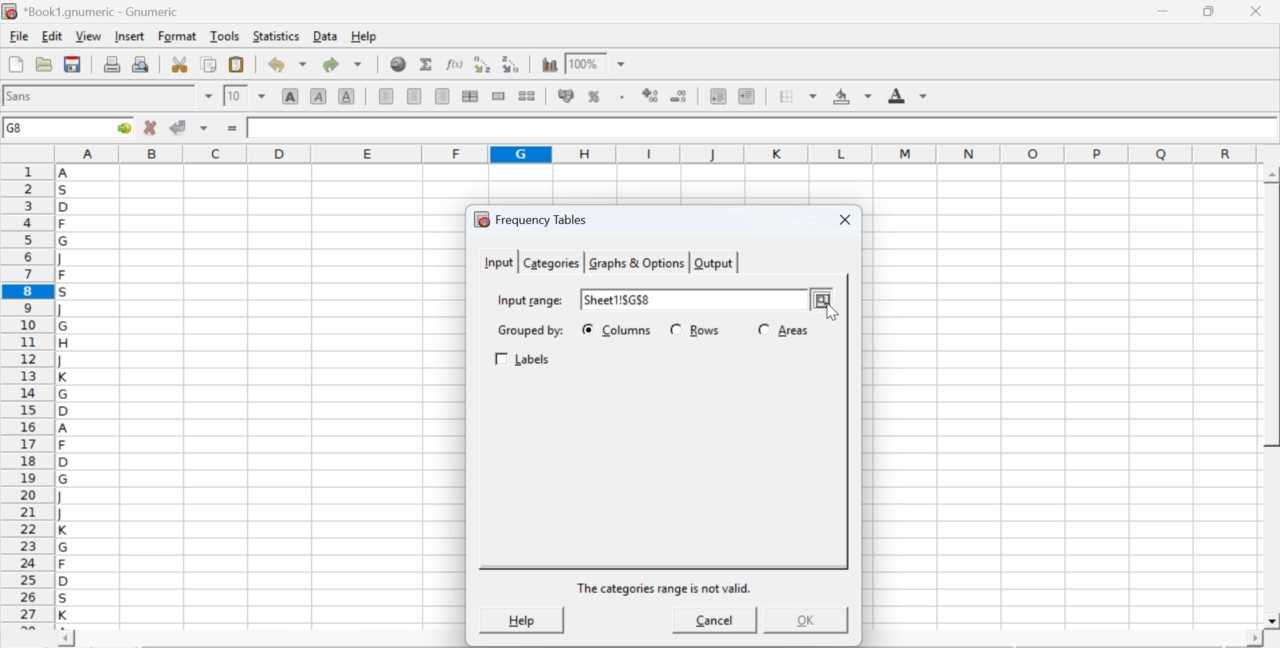  I want to click on format selection as accounting, so click(566, 95).